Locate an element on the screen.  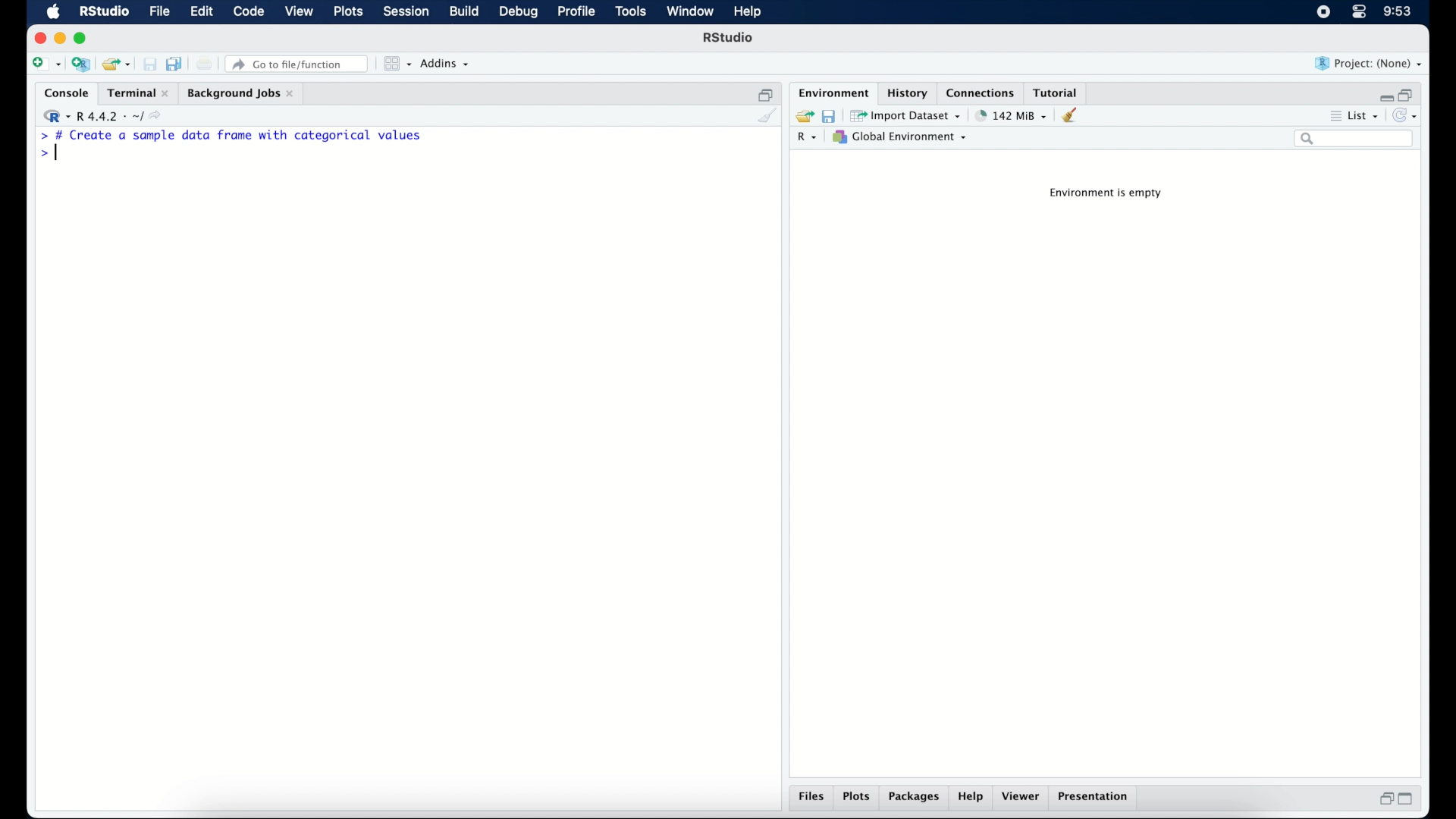
maximize is located at coordinates (1407, 801).